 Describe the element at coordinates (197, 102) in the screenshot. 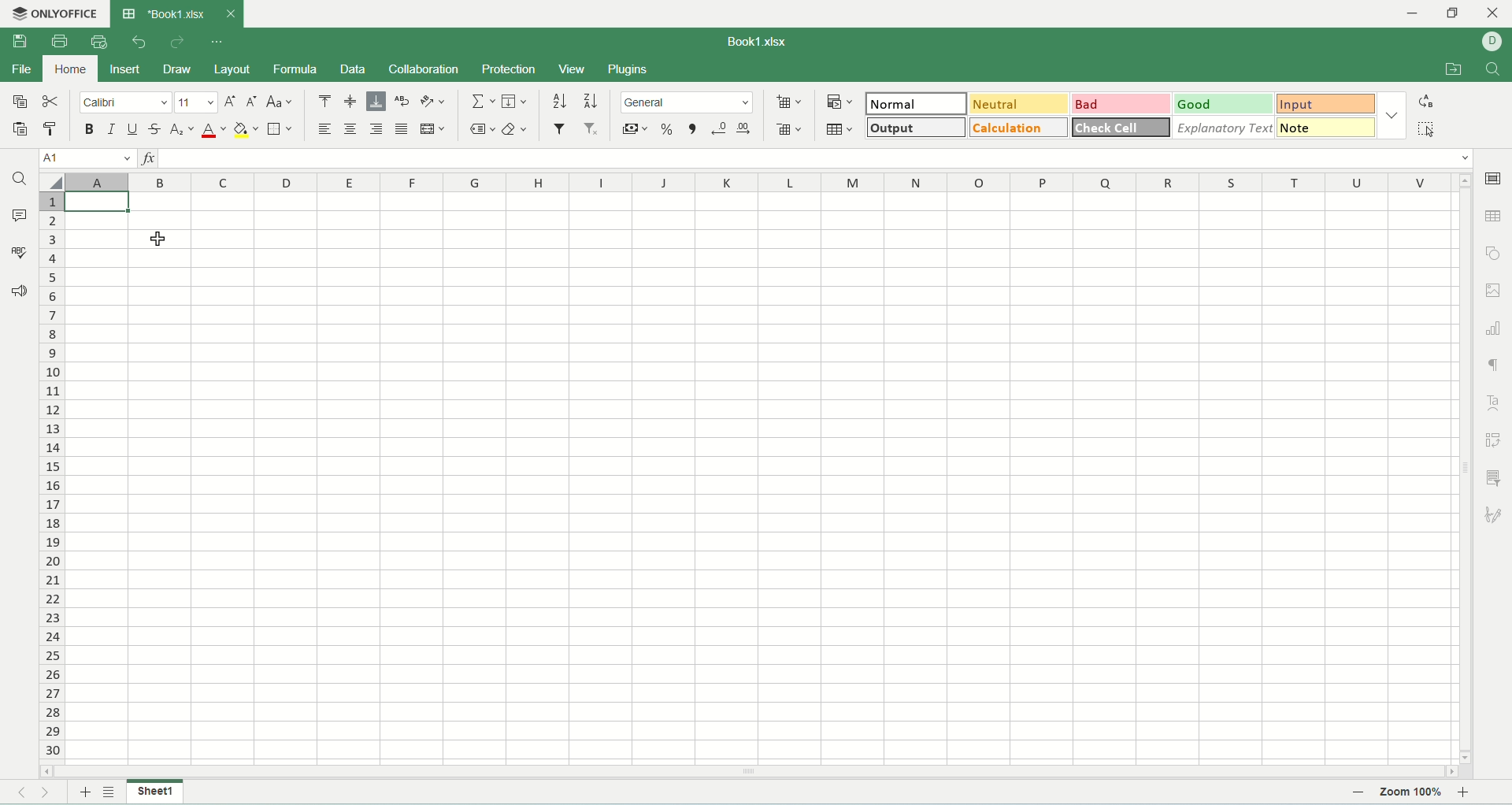

I see `font size` at that location.